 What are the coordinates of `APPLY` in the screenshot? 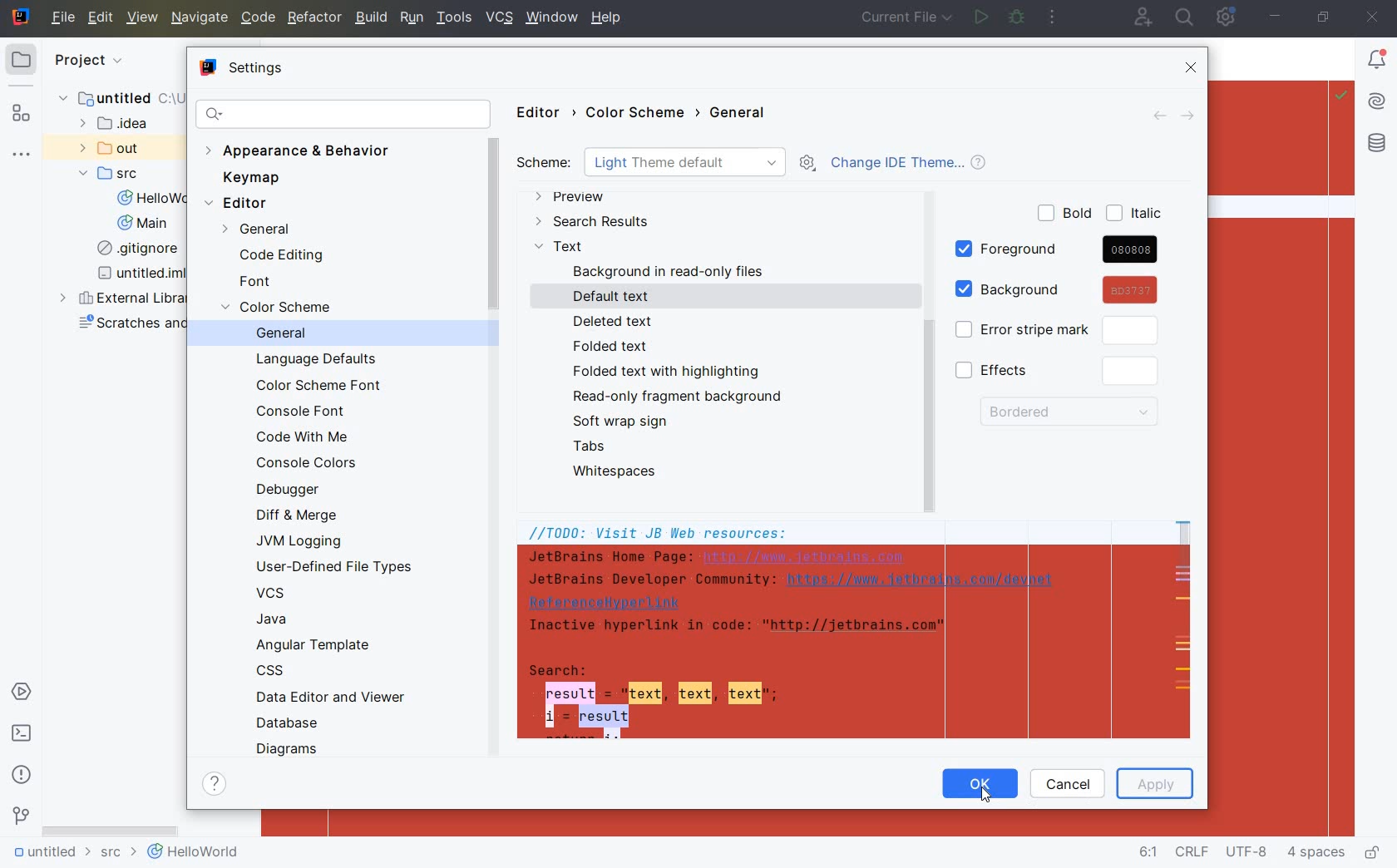 It's located at (1161, 784).